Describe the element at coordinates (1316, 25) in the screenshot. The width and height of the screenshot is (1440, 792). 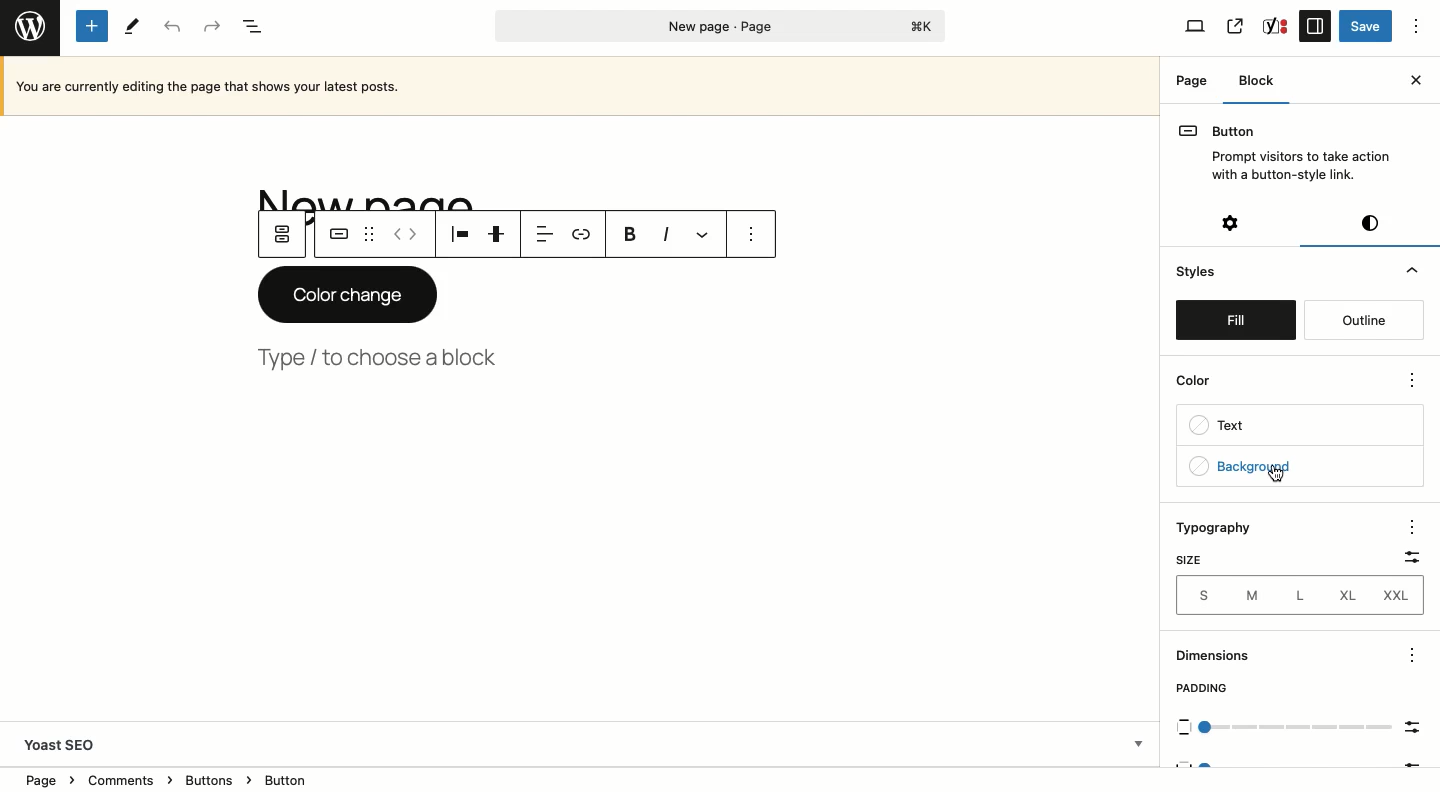
I see `Sidebar` at that location.